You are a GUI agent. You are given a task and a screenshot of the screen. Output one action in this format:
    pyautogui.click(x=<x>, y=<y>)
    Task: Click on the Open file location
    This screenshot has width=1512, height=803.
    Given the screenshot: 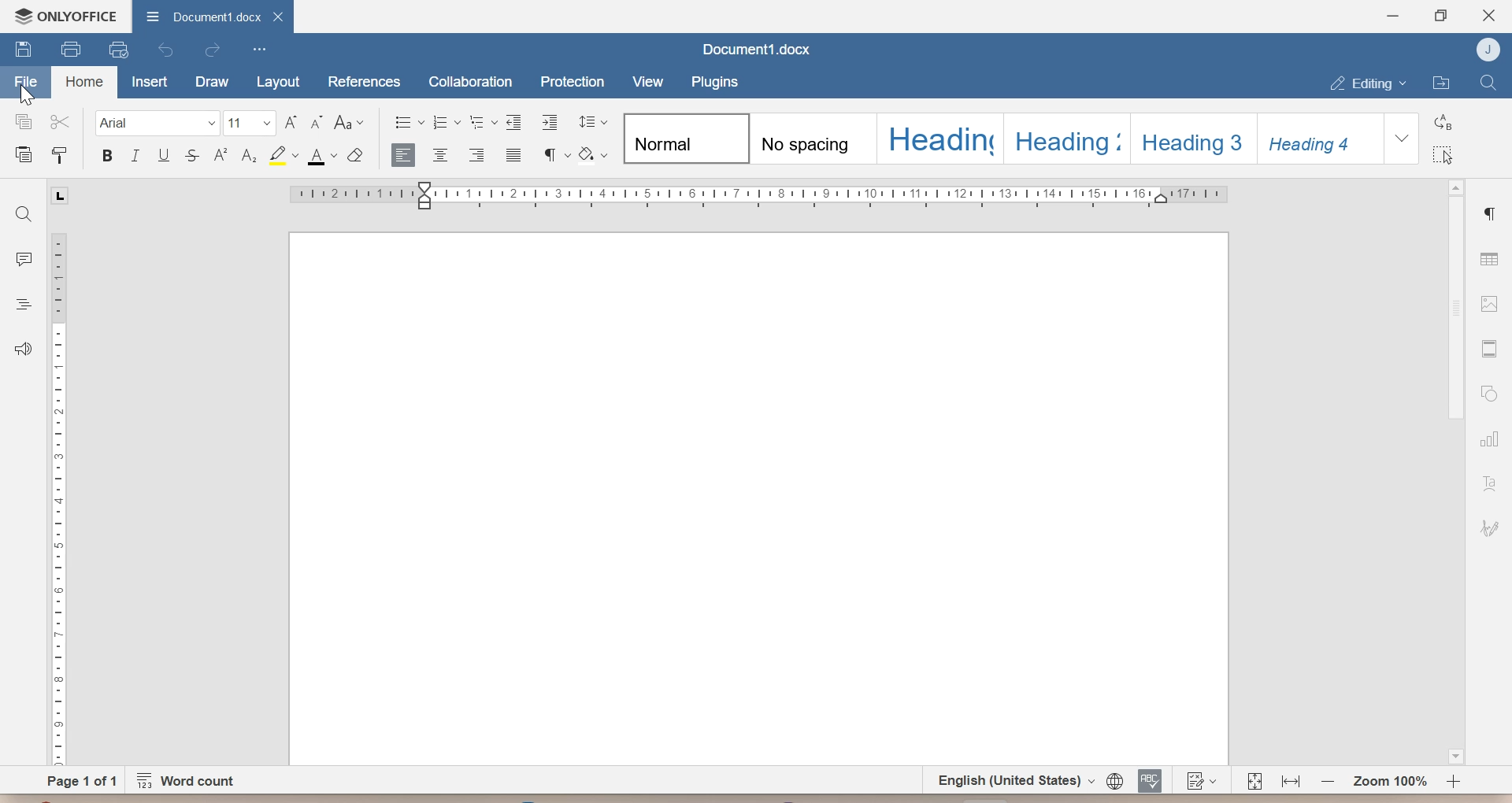 What is the action you would take?
    pyautogui.click(x=1443, y=83)
    